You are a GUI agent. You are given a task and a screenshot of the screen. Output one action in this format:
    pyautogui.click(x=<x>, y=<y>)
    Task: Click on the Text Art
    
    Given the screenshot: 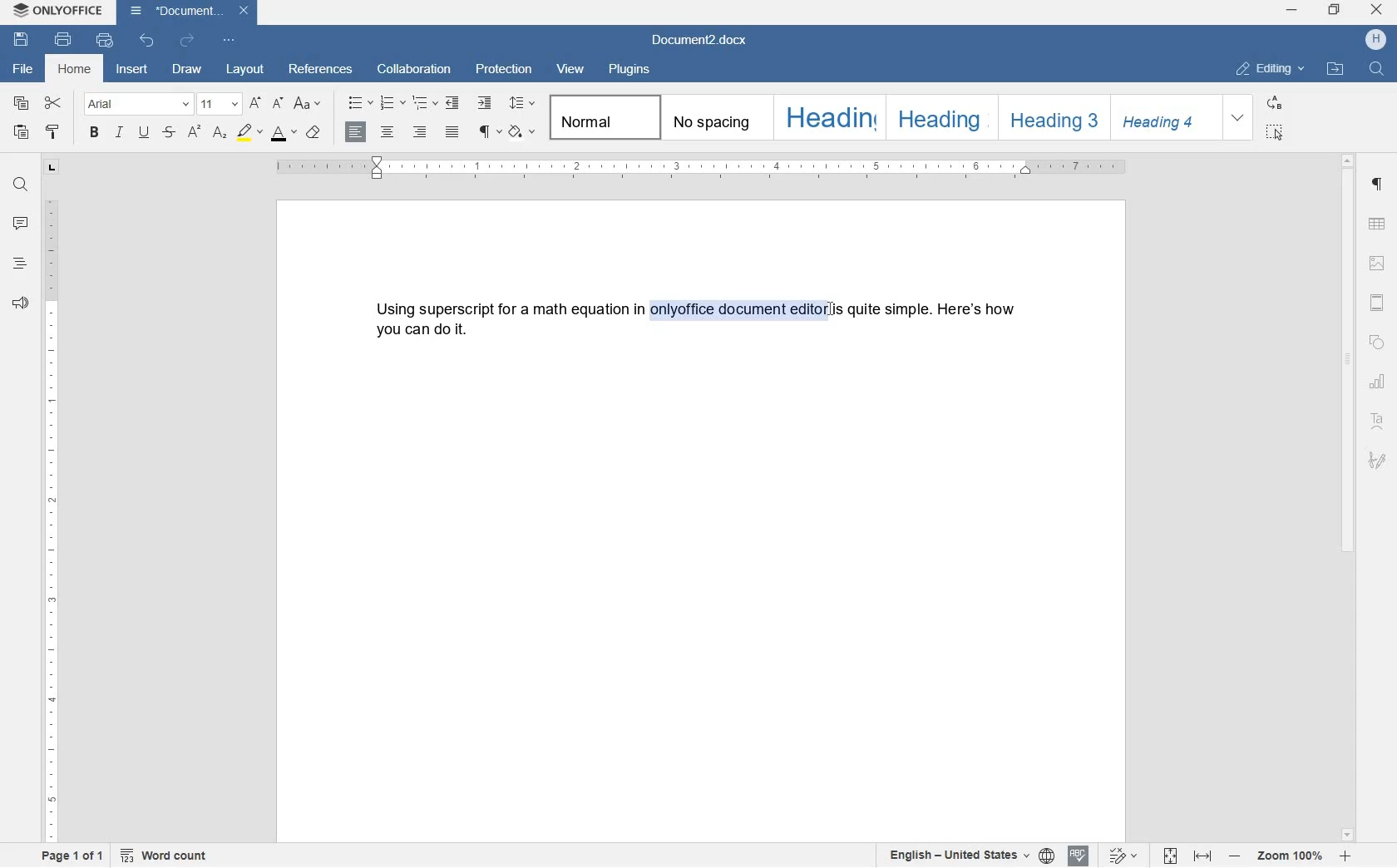 What is the action you would take?
    pyautogui.click(x=1378, y=422)
    